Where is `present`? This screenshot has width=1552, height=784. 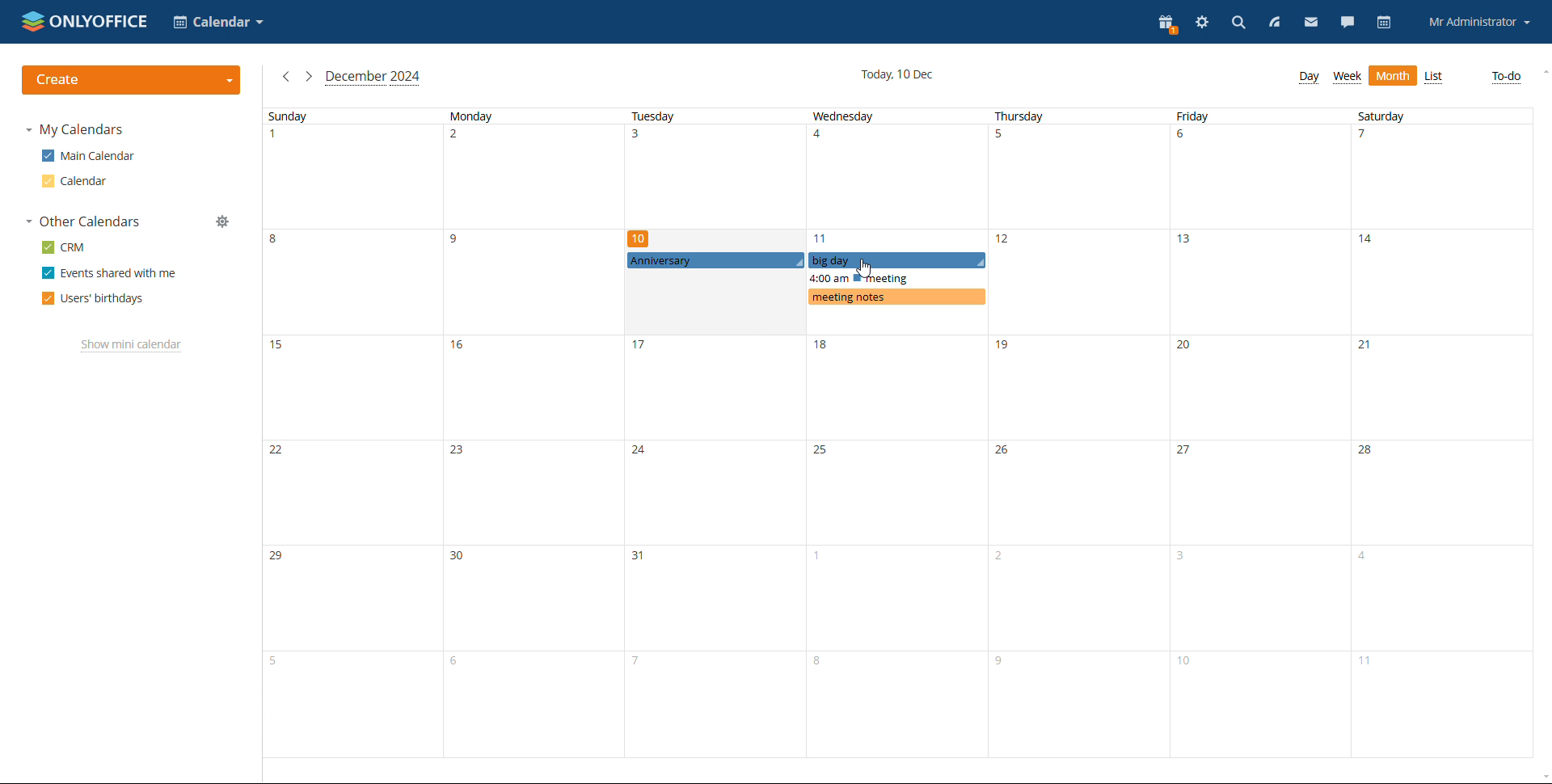
present is located at coordinates (1168, 23).